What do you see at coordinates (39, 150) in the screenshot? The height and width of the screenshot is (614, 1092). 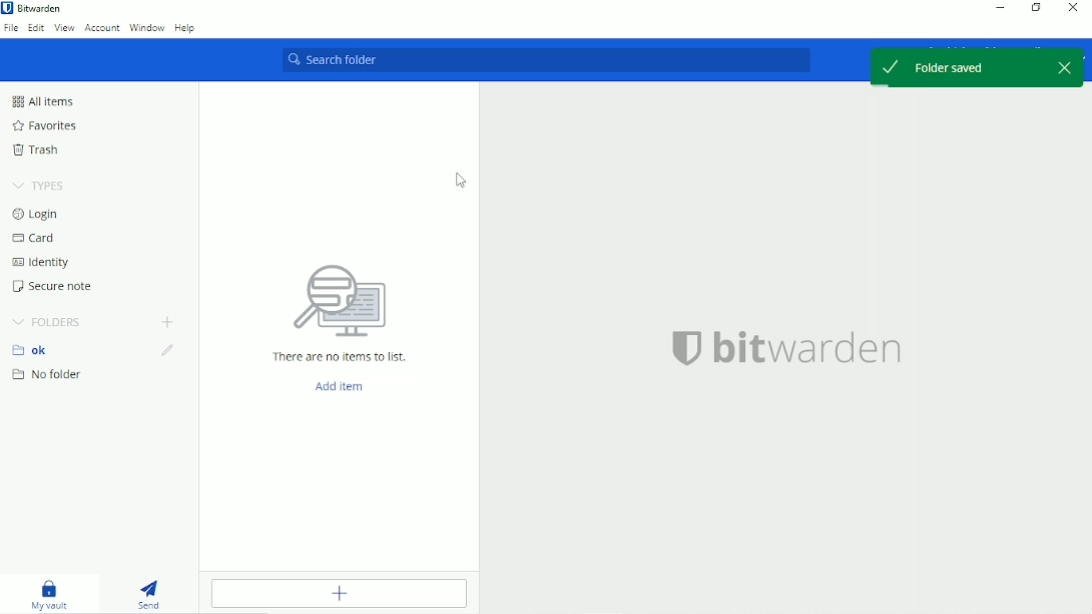 I see `Trash` at bounding box center [39, 150].